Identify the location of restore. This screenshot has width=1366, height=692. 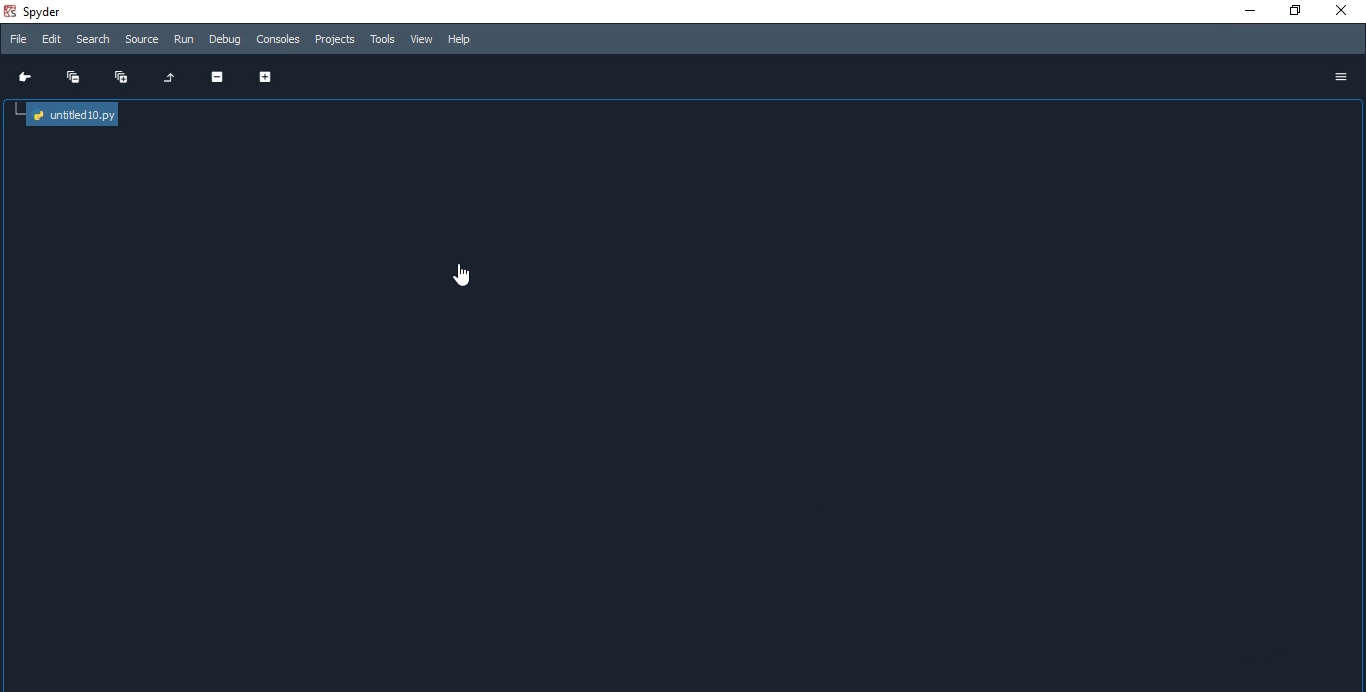
(1297, 11).